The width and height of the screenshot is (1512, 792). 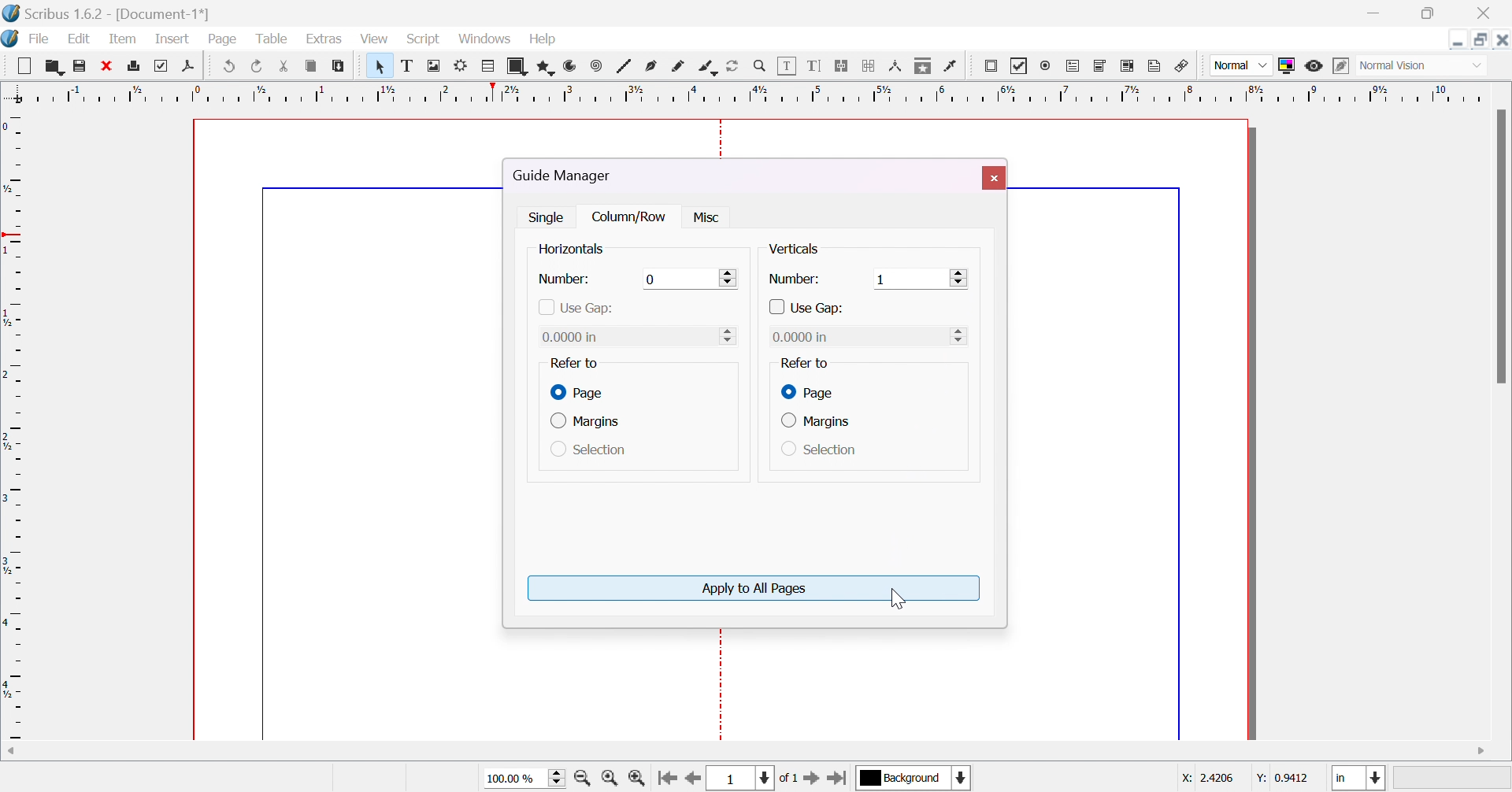 I want to click on number, so click(x=794, y=279).